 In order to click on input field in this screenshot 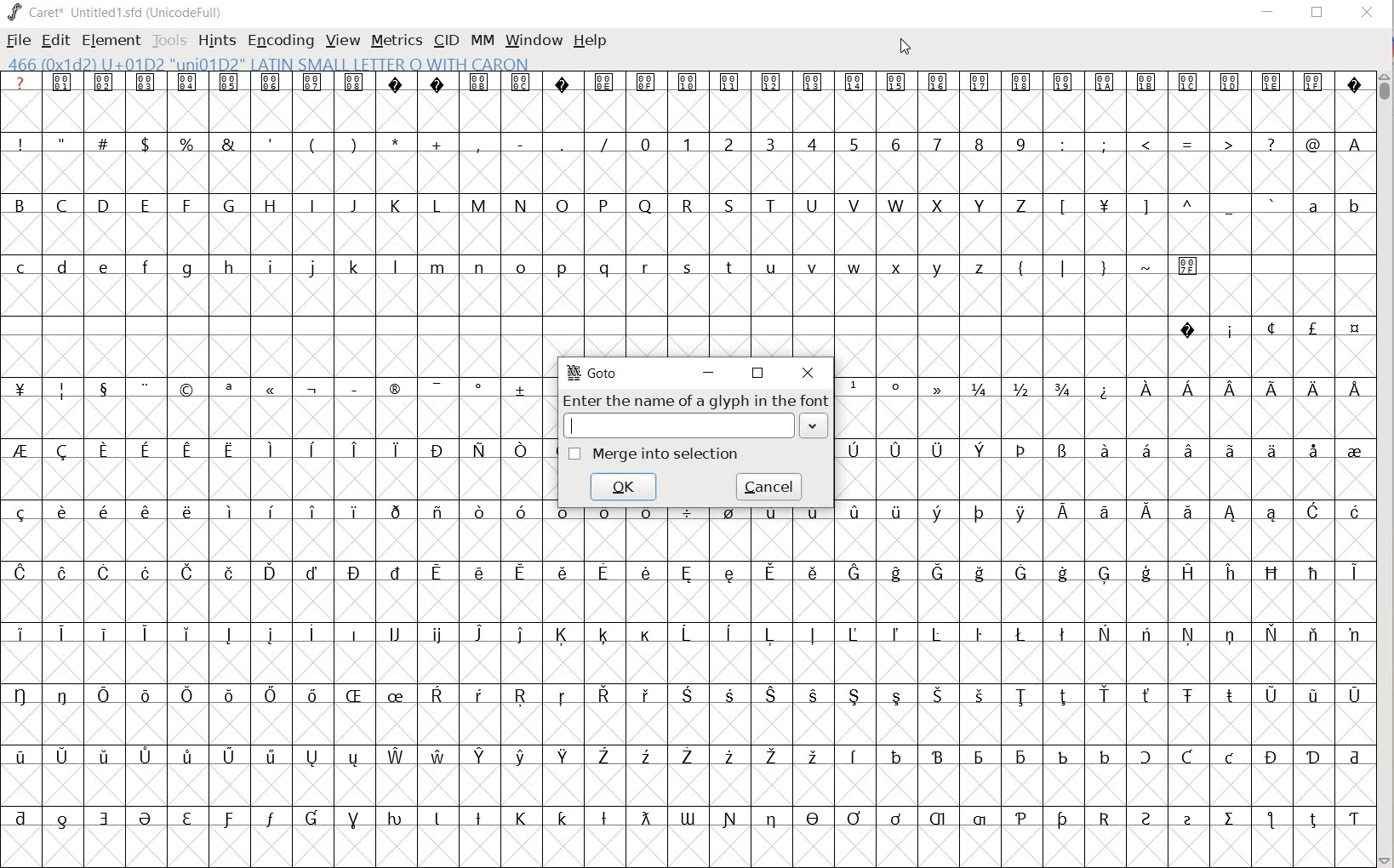, I will do `click(694, 425)`.